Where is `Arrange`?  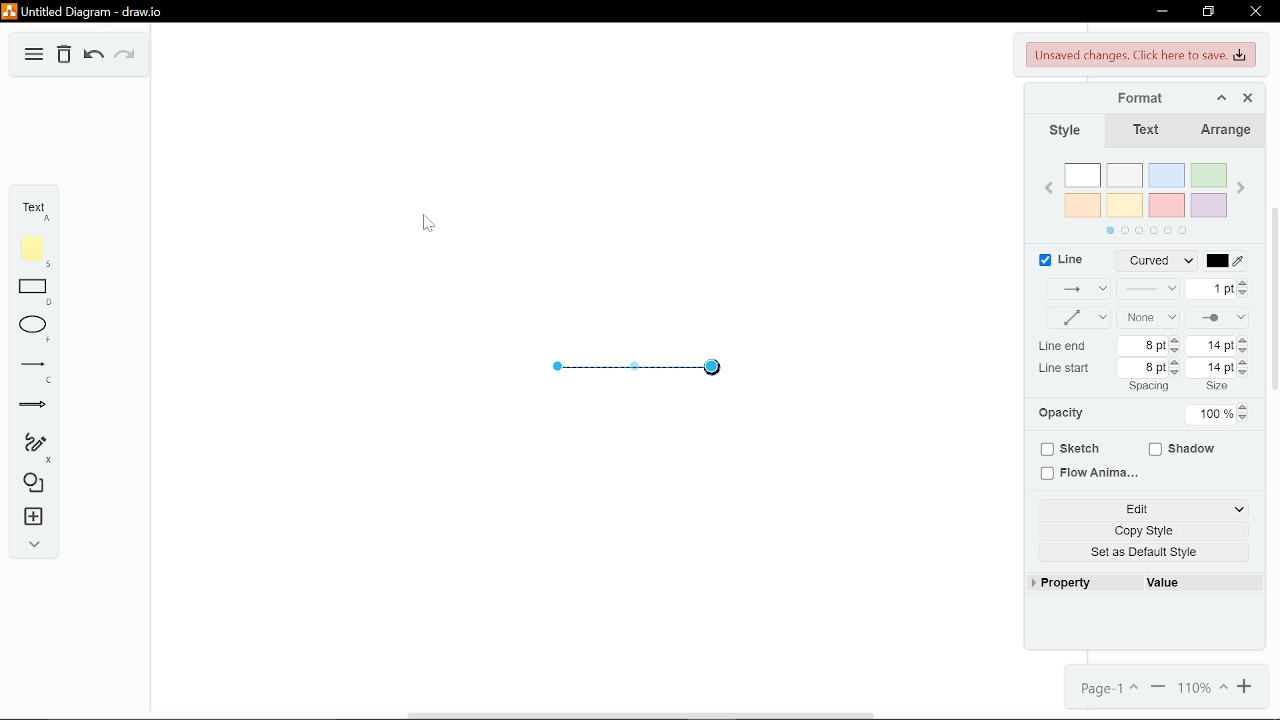
Arrange is located at coordinates (1222, 131).